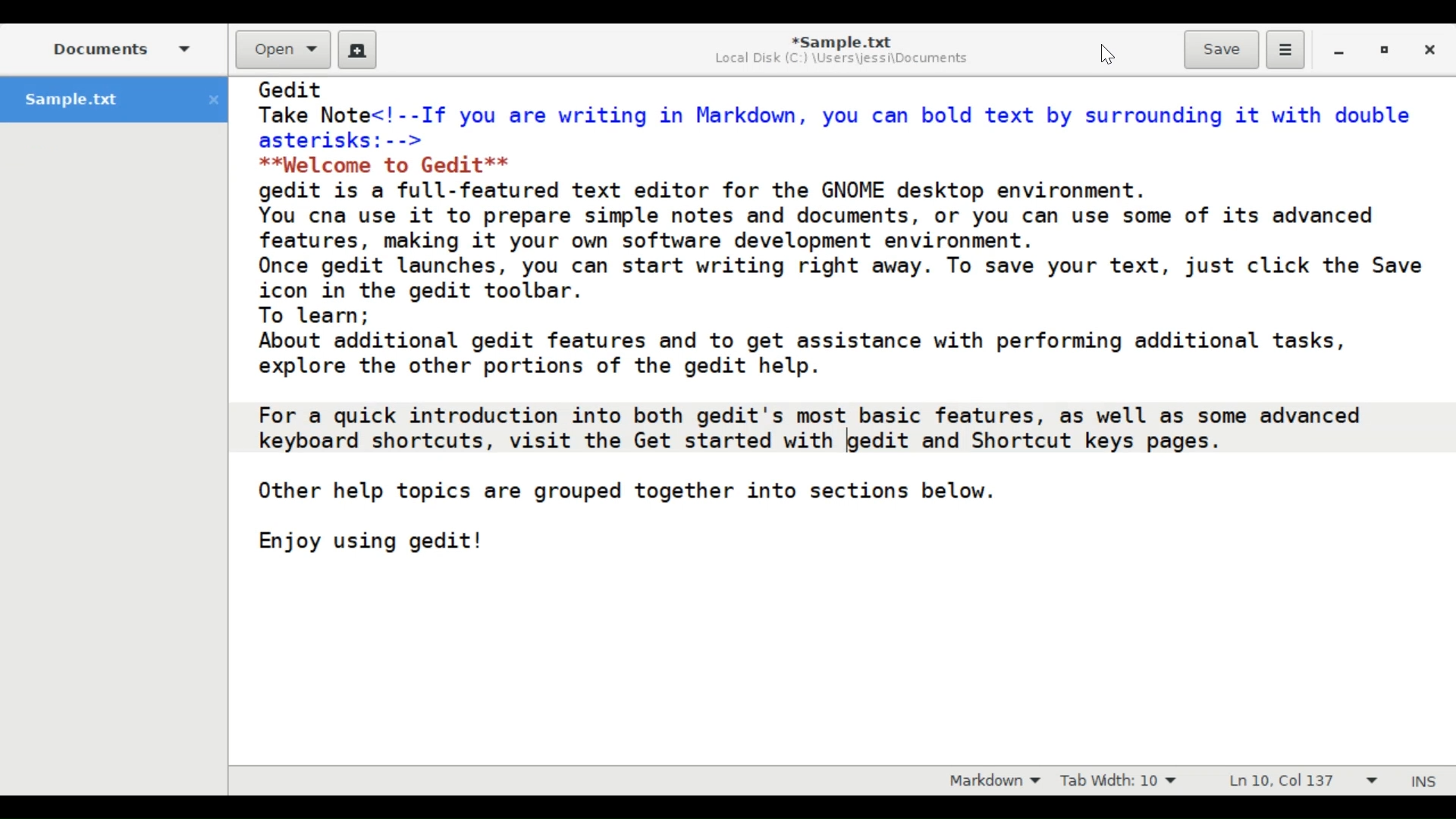  What do you see at coordinates (214, 100) in the screenshot?
I see `close` at bounding box center [214, 100].